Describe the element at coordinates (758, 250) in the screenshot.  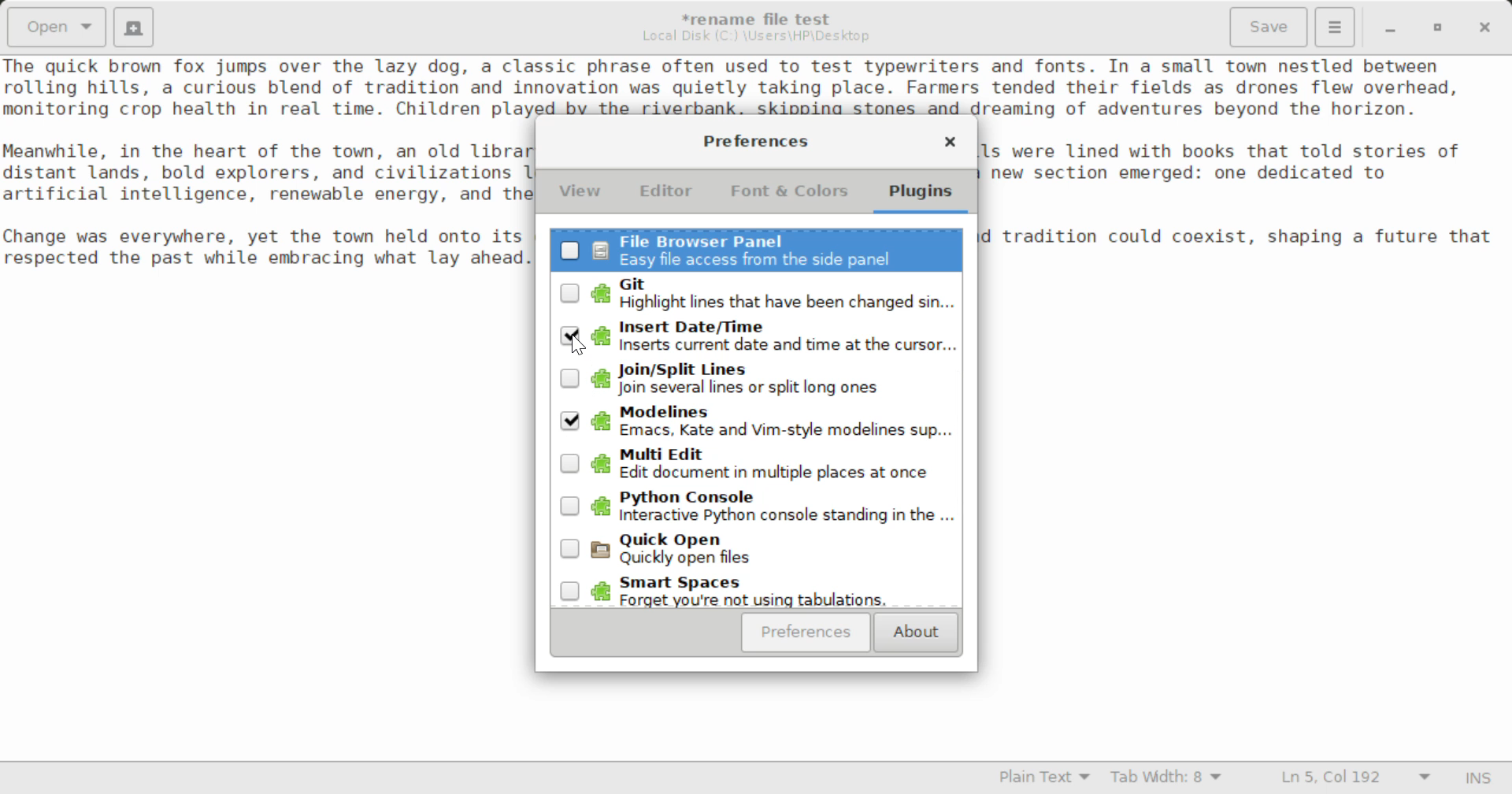
I see `Unselected File Browser Panel ` at that location.